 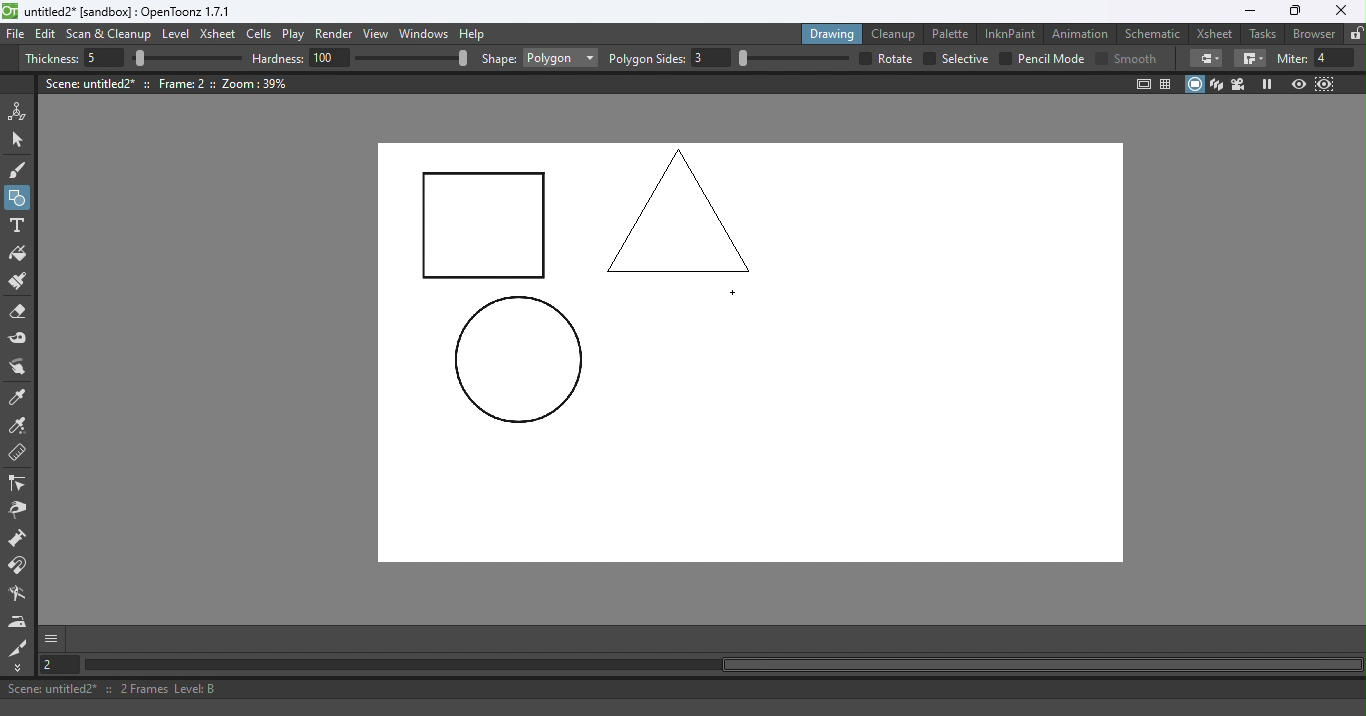 What do you see at coordinates (425, 35) in the screenshot?
I see `Windows` at bounding box center [425, 35].